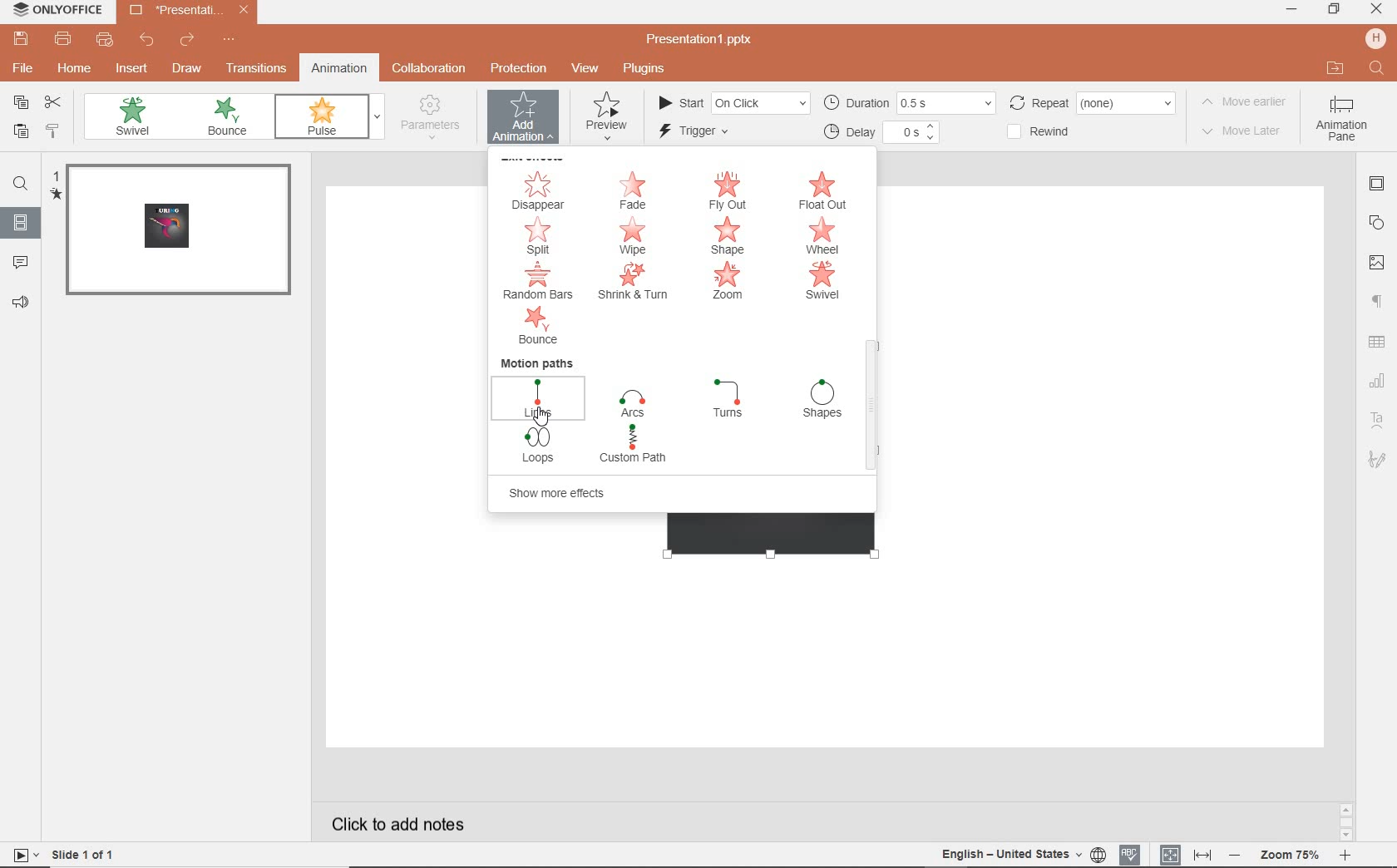  What do you see at coordinates (881, 133) in the screenshot?
I see `delay` at bounding box center [881, 133].